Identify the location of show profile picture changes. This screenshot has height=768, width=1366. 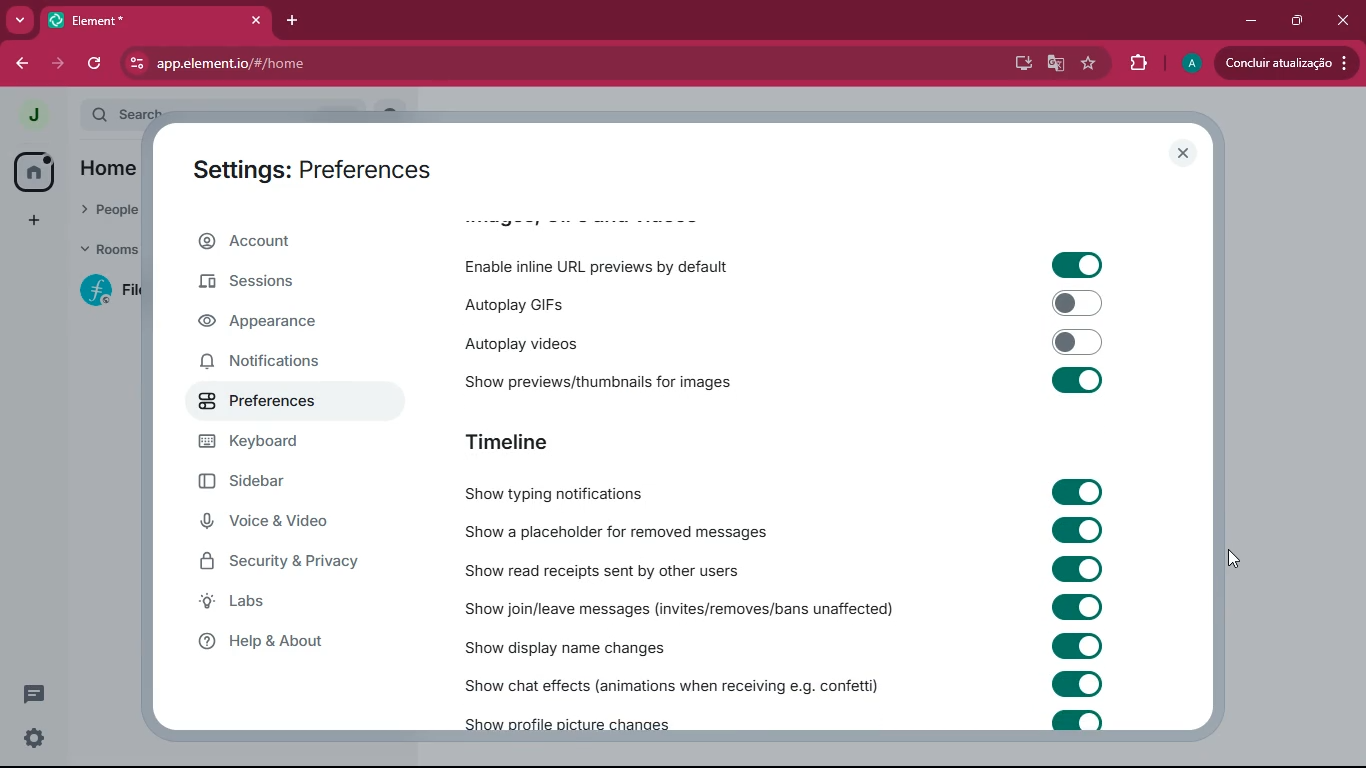
(569, 719).